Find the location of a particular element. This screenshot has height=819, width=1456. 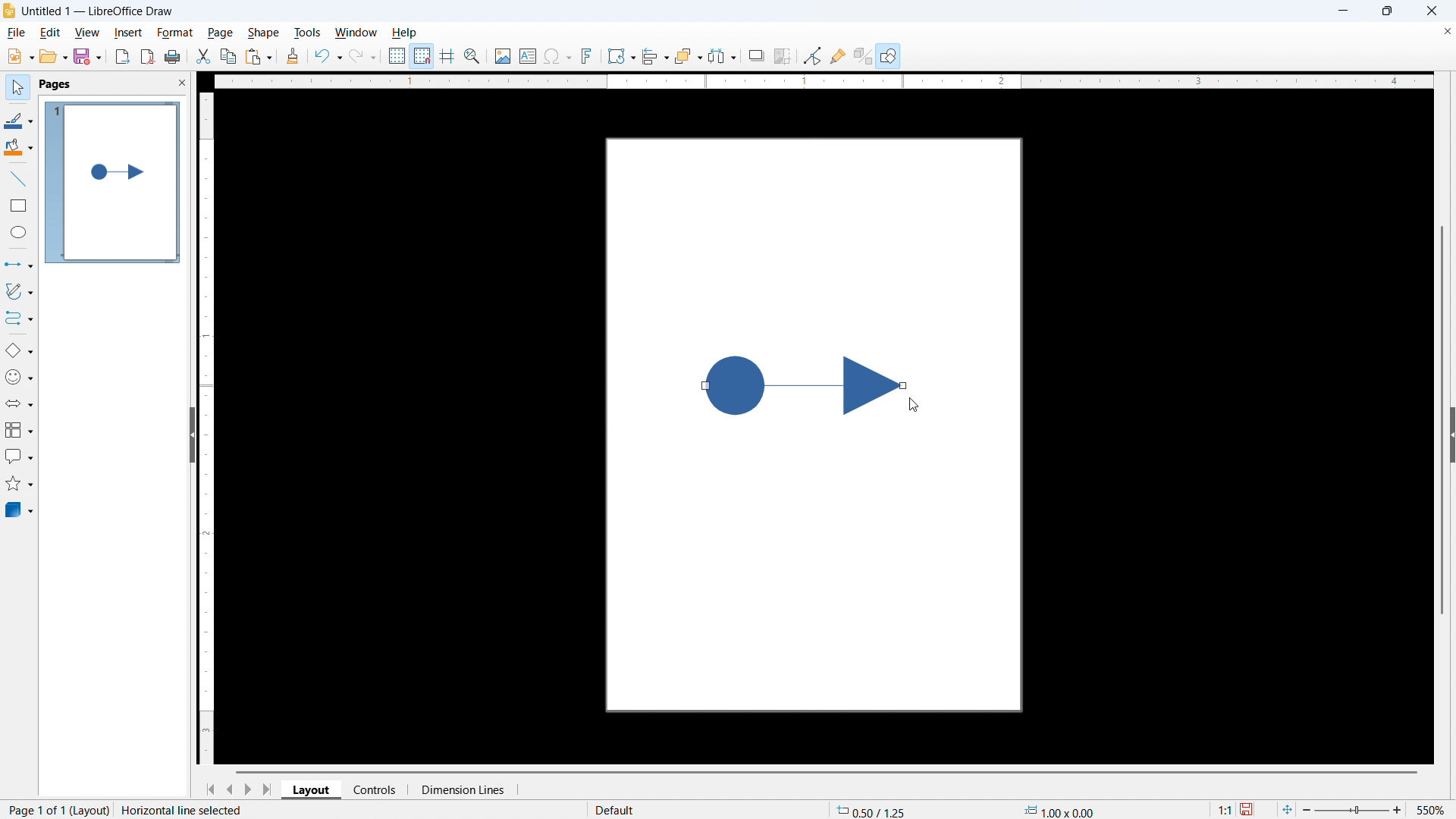

Previous page  is located at coordinates (229, 789).